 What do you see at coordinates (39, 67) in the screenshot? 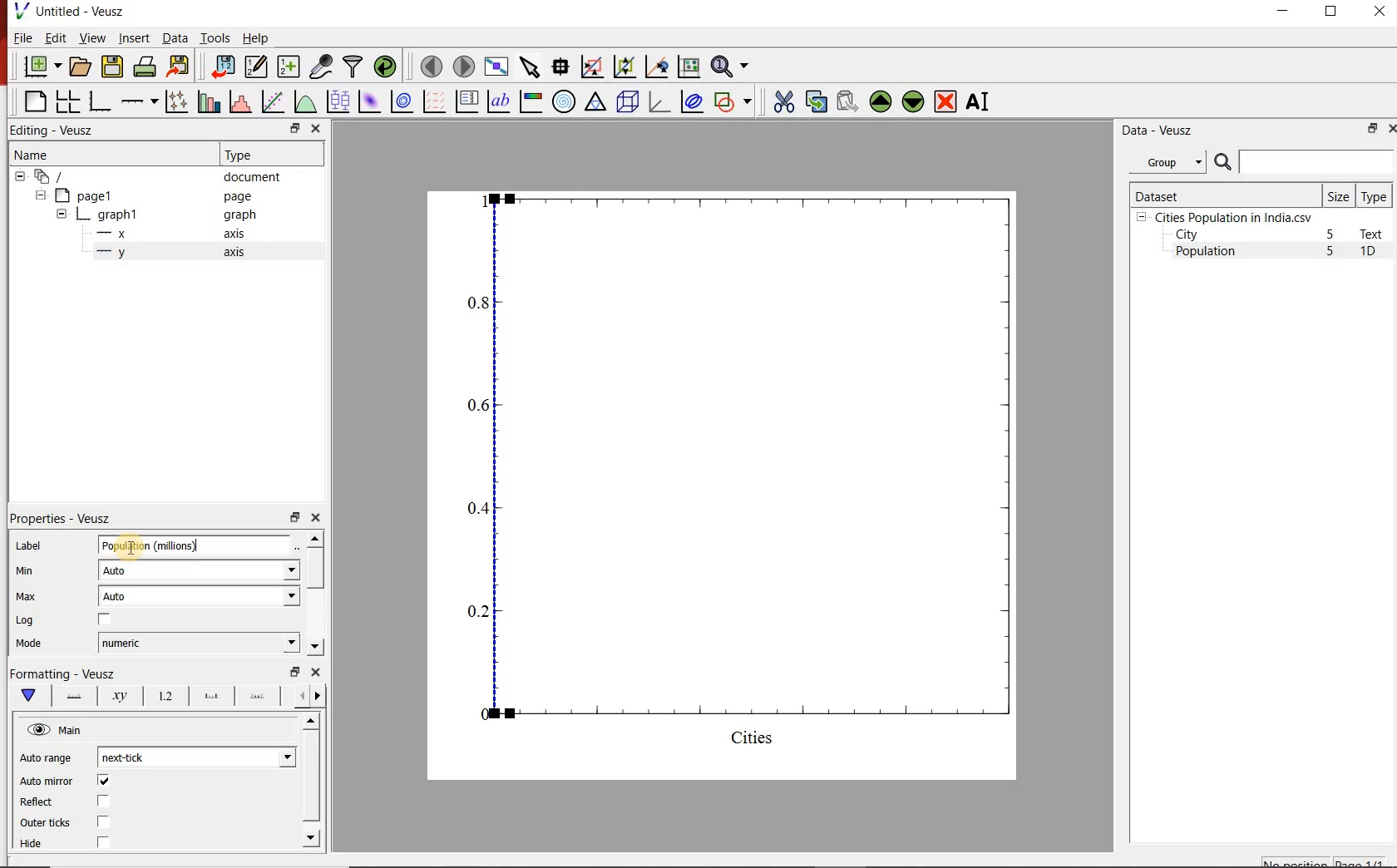
I see `new document` at bounding box center [39, 67].